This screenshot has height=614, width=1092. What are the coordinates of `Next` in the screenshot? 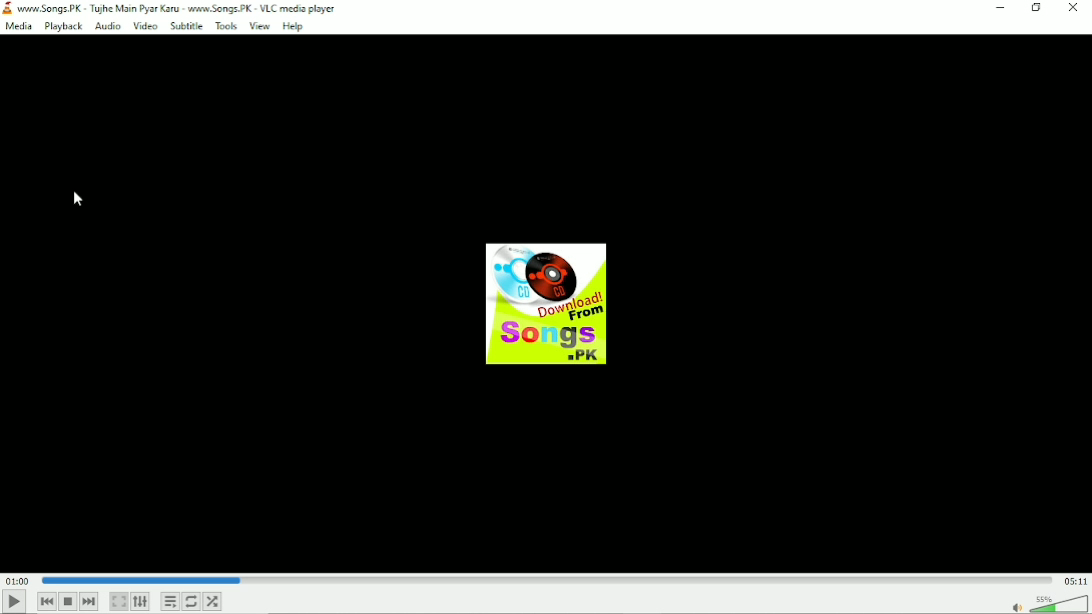 It's located at (90, 601).